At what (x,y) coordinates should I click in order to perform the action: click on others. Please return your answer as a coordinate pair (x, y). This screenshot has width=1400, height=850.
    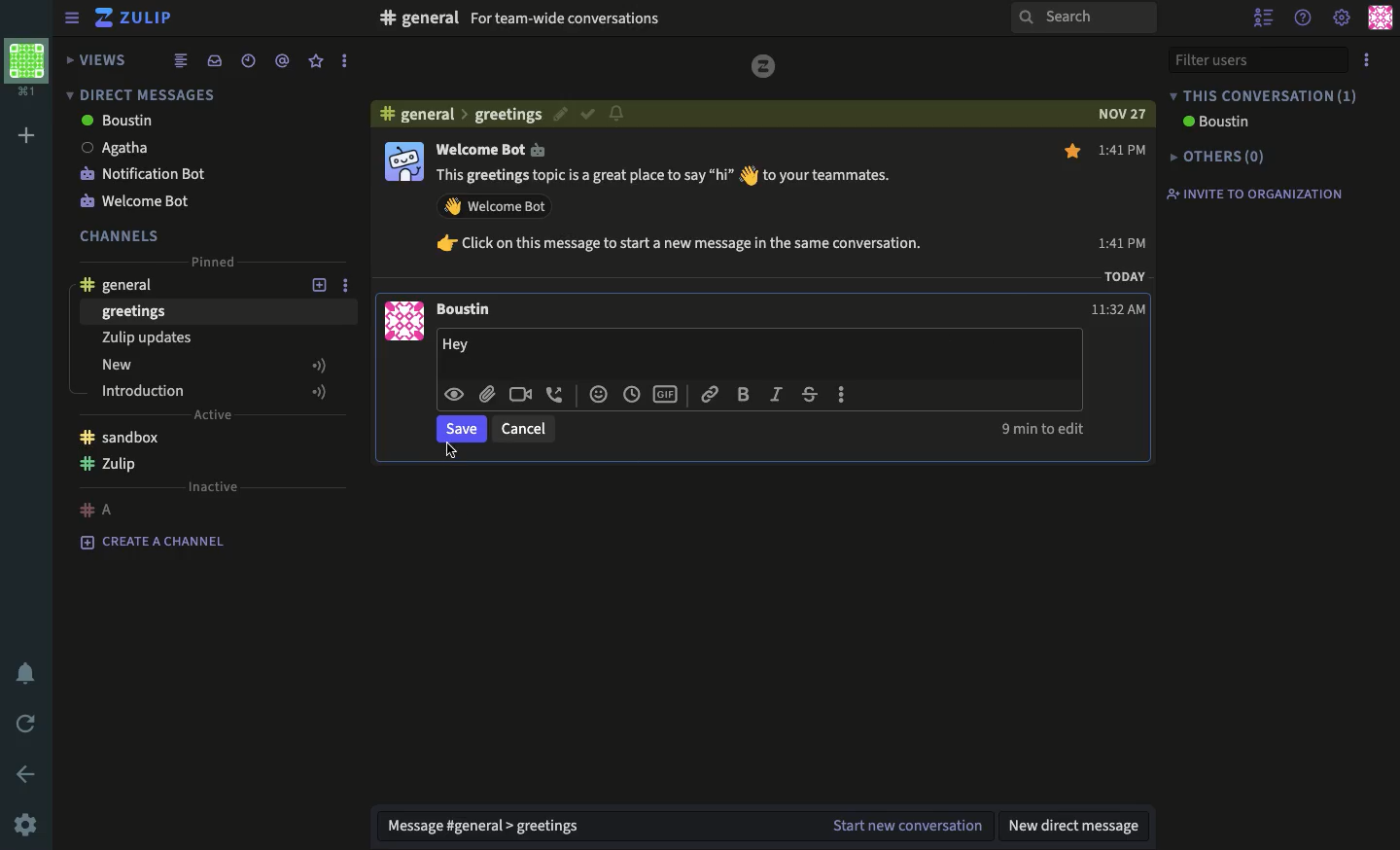
    Looking at the image, I should click on (1219, 156).